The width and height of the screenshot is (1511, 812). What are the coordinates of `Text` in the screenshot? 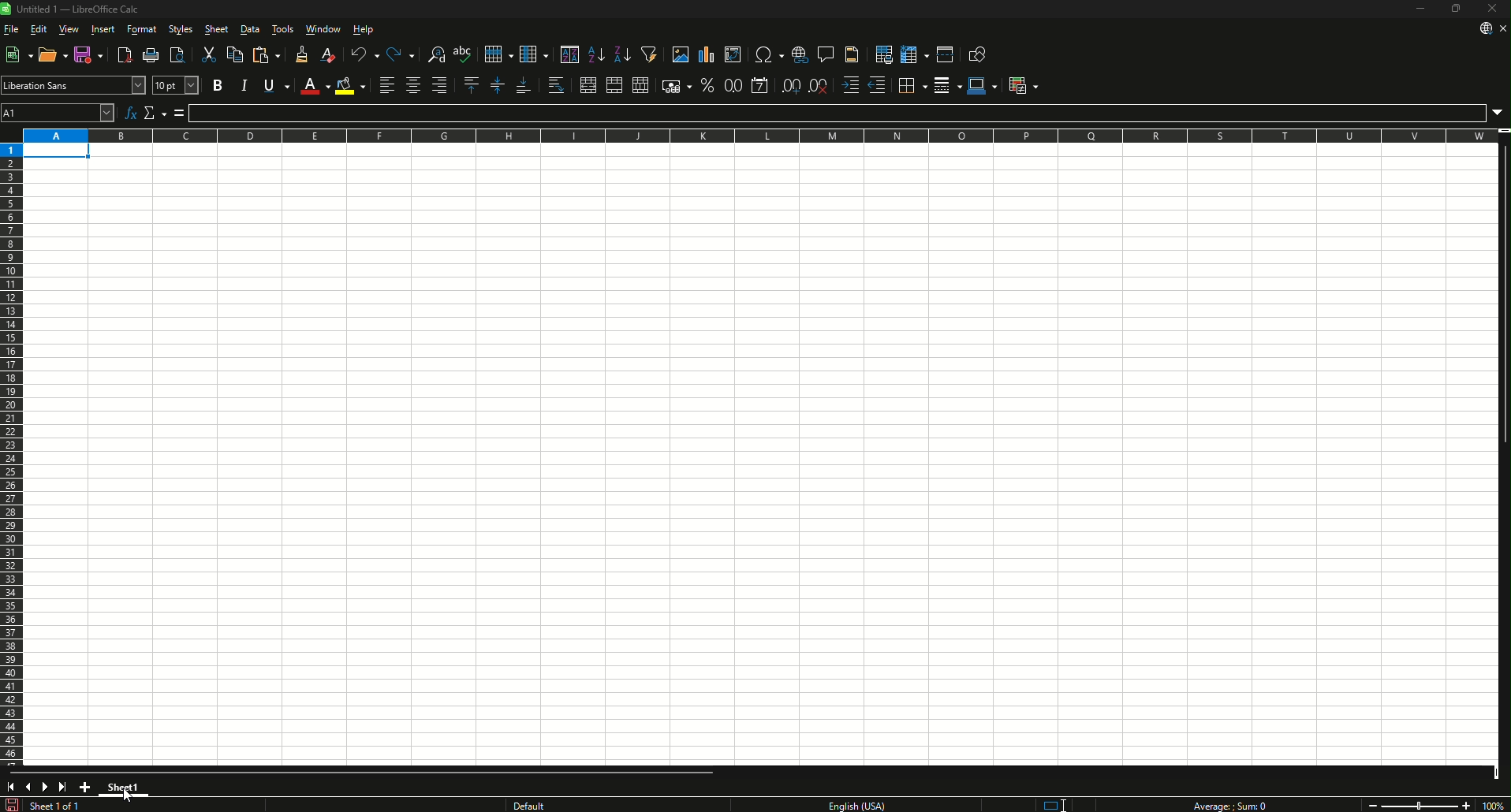 It's located at (58, 805).